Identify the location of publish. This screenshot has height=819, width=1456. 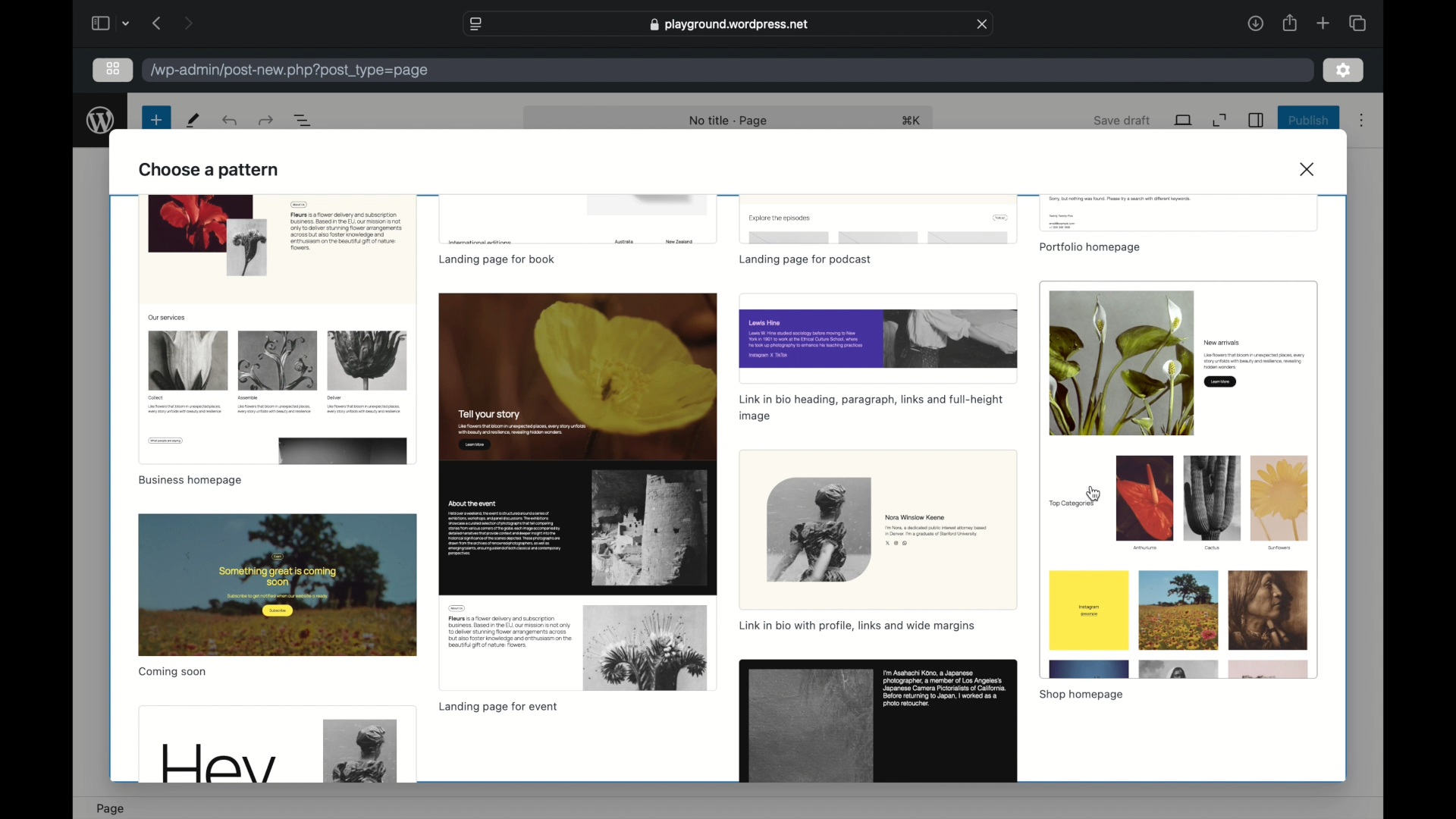
(1307, 120).